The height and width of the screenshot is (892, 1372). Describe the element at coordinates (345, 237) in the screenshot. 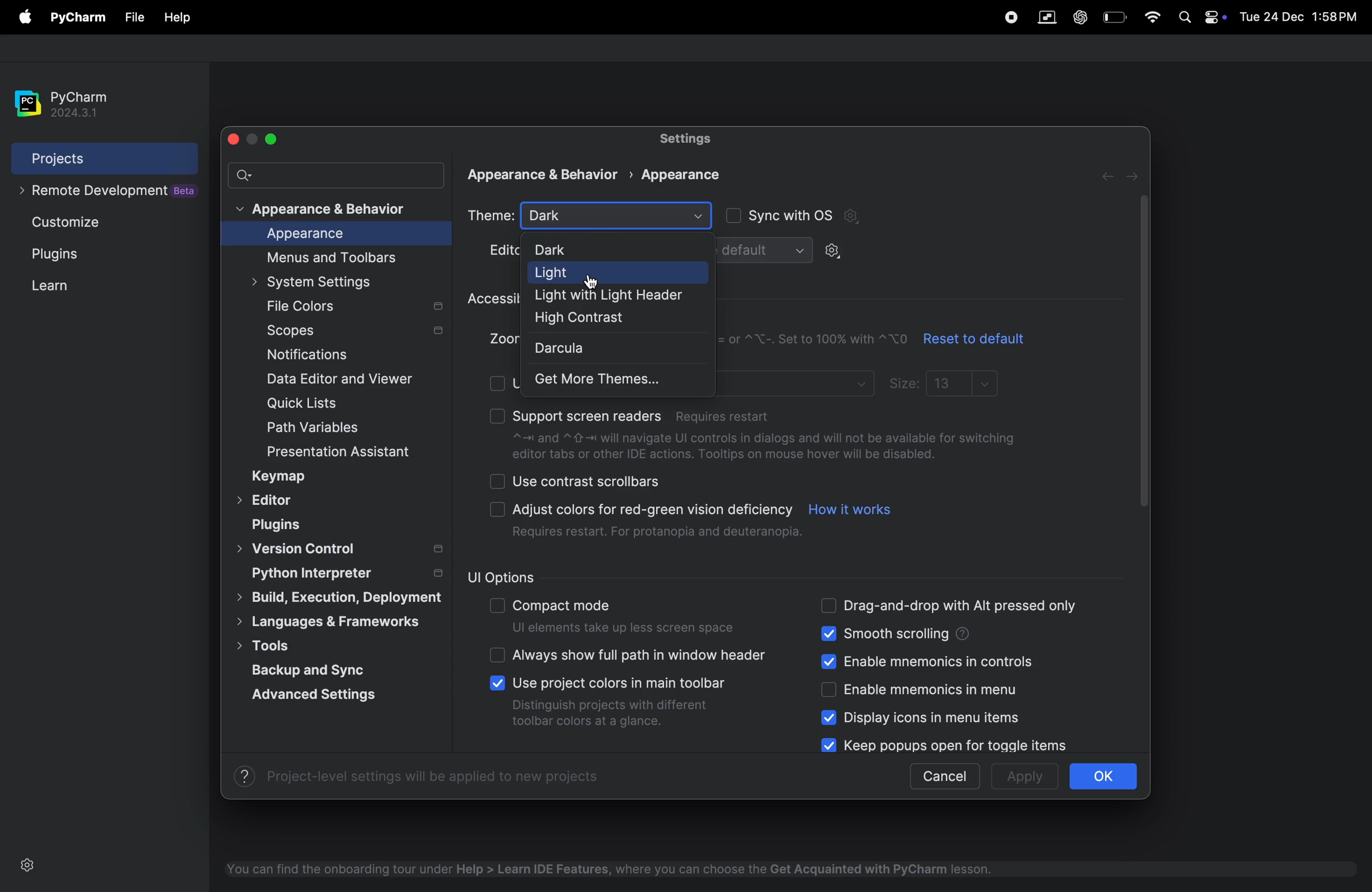

I see `appearance ` at that location.